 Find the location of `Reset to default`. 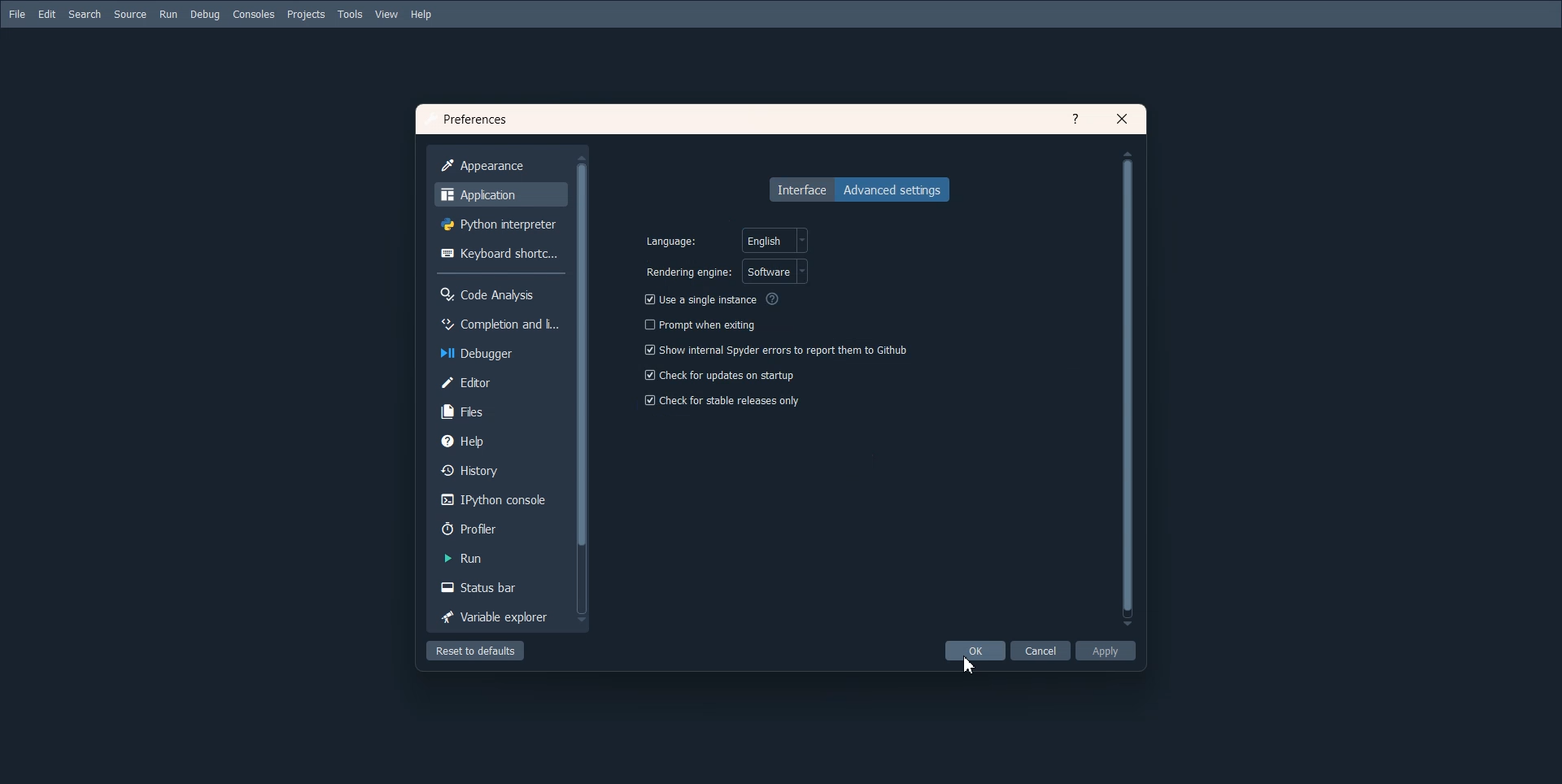

Reset to default is located at coordinates (476, 651).